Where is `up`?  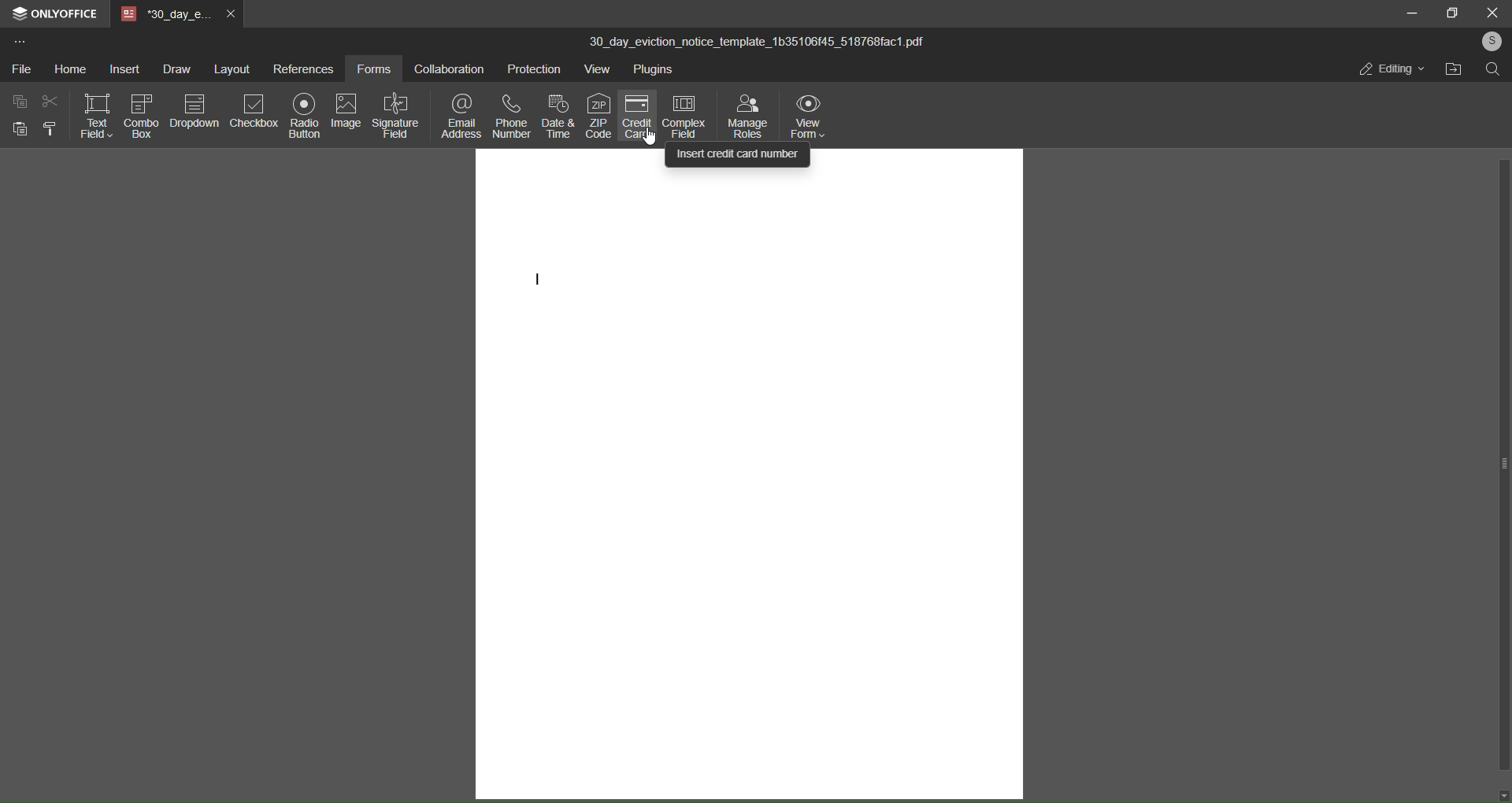
up is located at coordinates (1502, 90).